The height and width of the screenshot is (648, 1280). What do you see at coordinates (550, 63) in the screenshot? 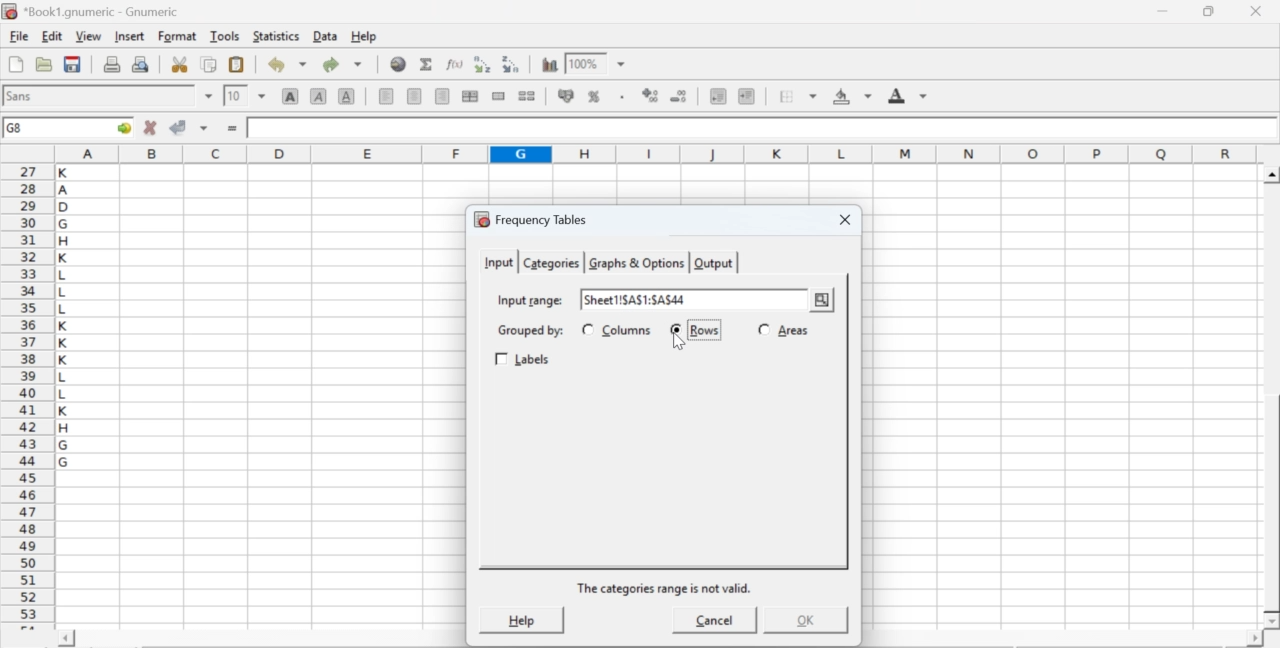
I see `insert chart` at bounding box center [550, 63].